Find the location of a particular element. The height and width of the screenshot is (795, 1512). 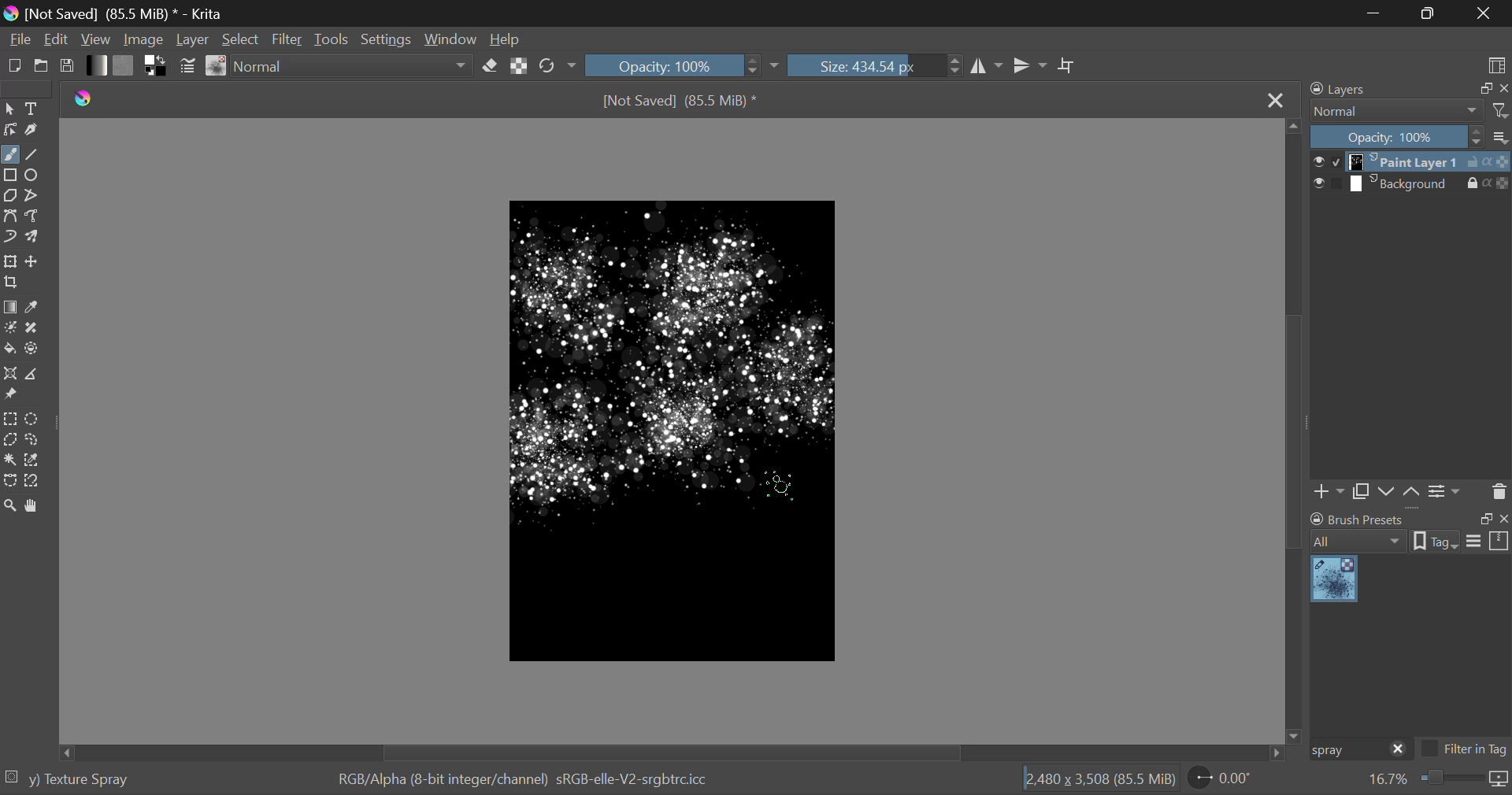

Vertical Mirror Flip is located at coordinates (984, 66).